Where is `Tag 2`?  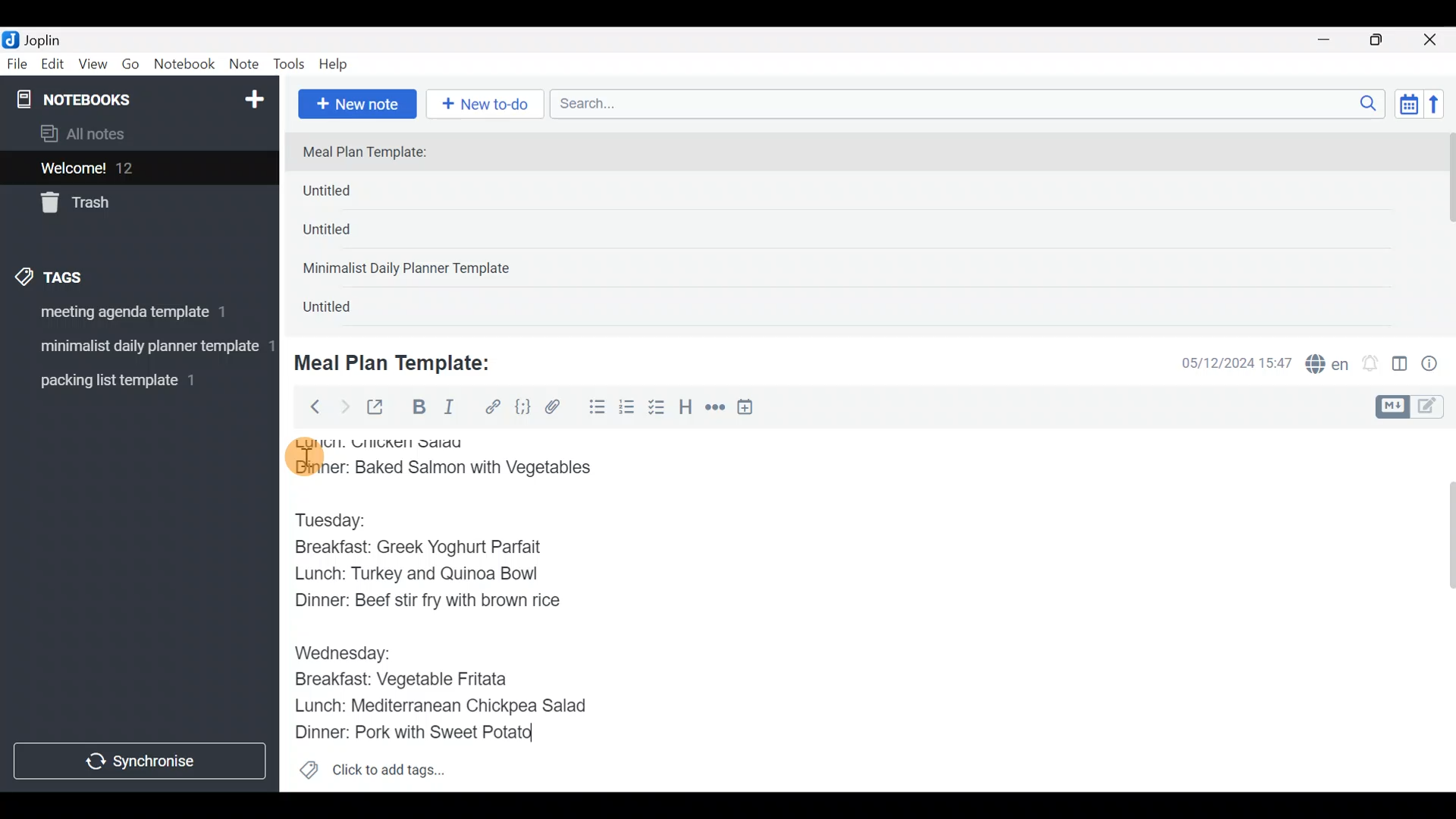 Tag 2 is located at coordinates (139, 348).